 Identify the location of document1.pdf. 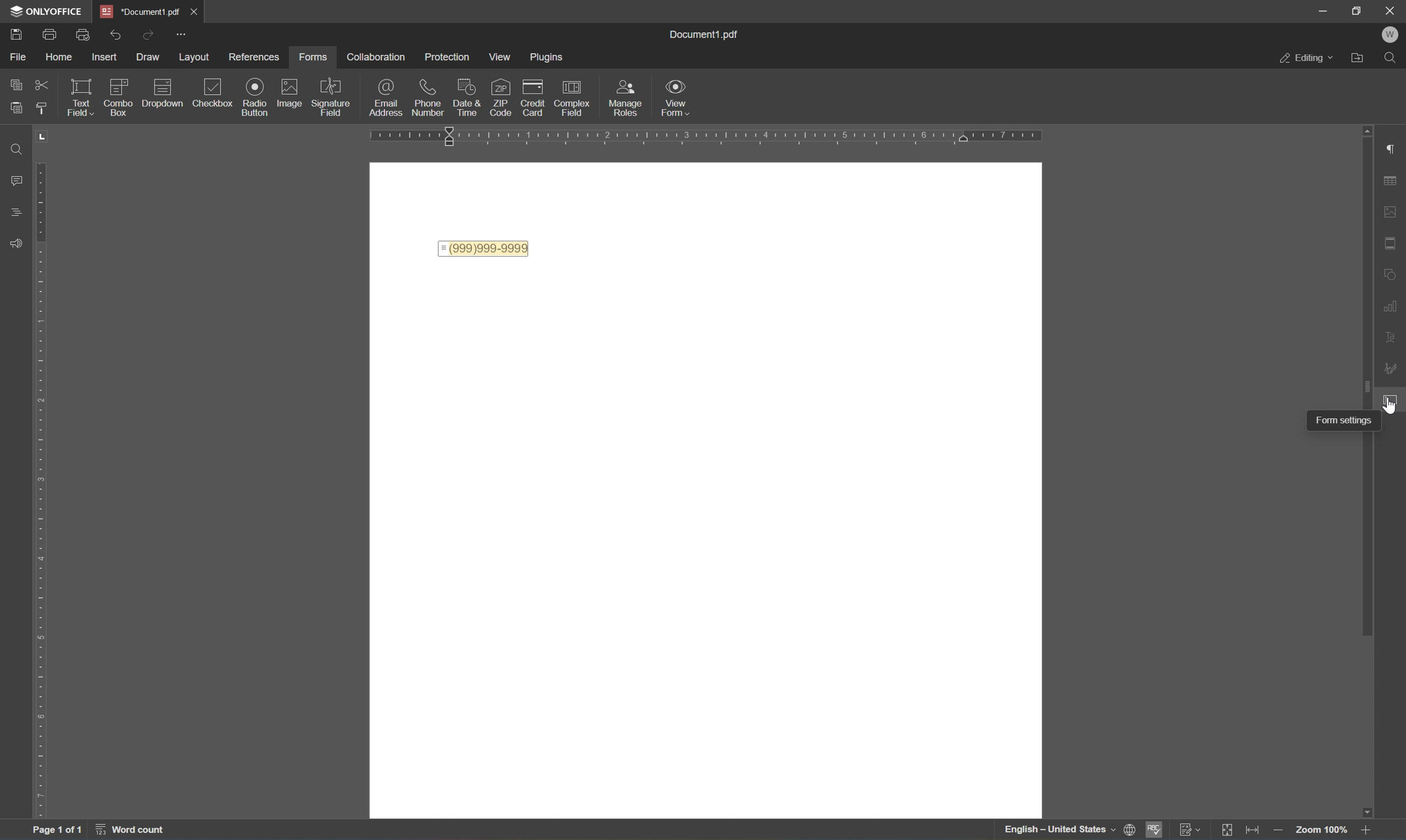
(708, 34).